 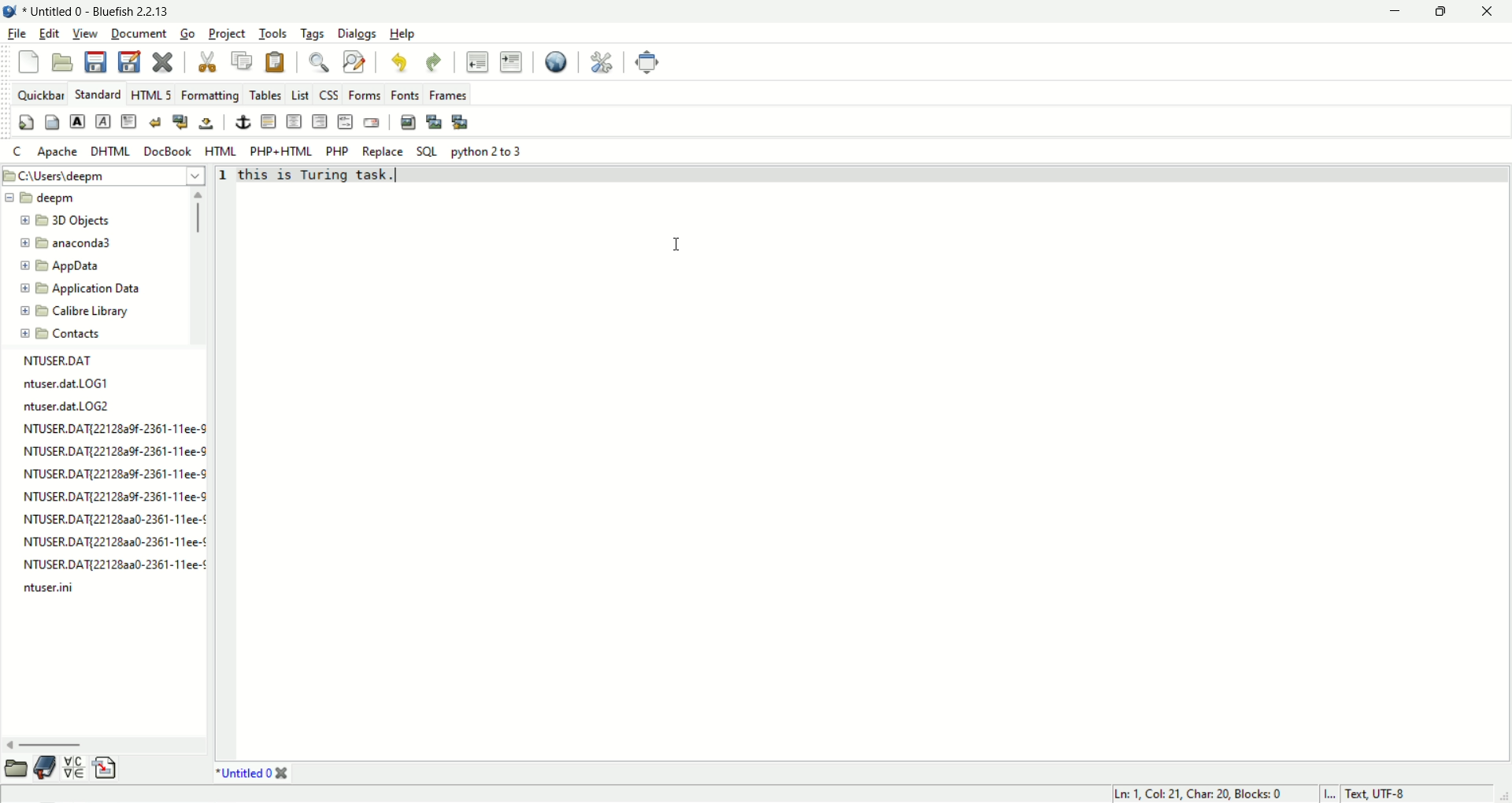 What do you see at coordinates (431, 61) in the screenshot?
I see `redo` at bounding box center [431, 61].